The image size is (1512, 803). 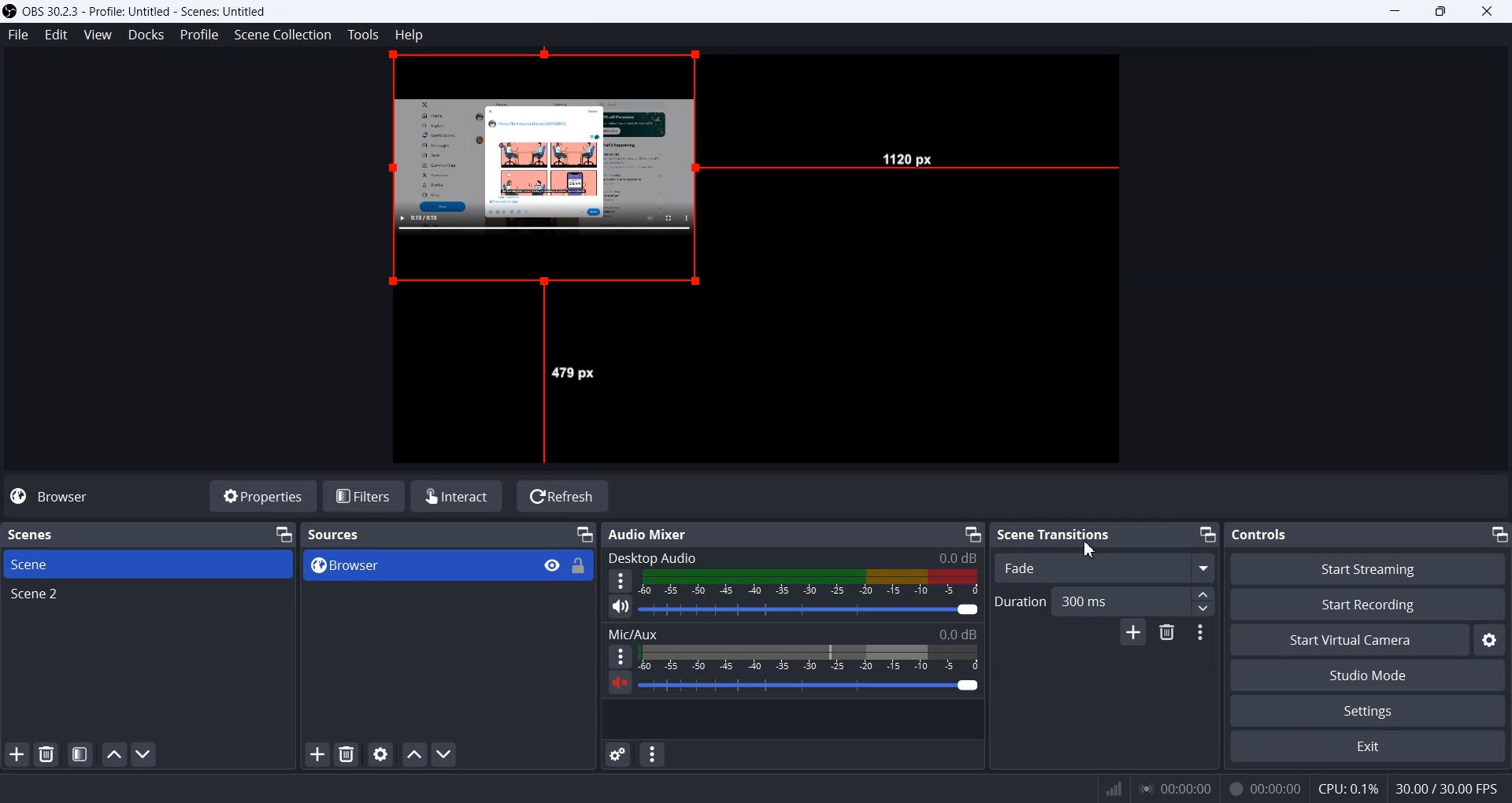 What do you see at coordinates (1391, 12) in the screenshot?
I see `Minimize` at bounding box center [1391, 12].